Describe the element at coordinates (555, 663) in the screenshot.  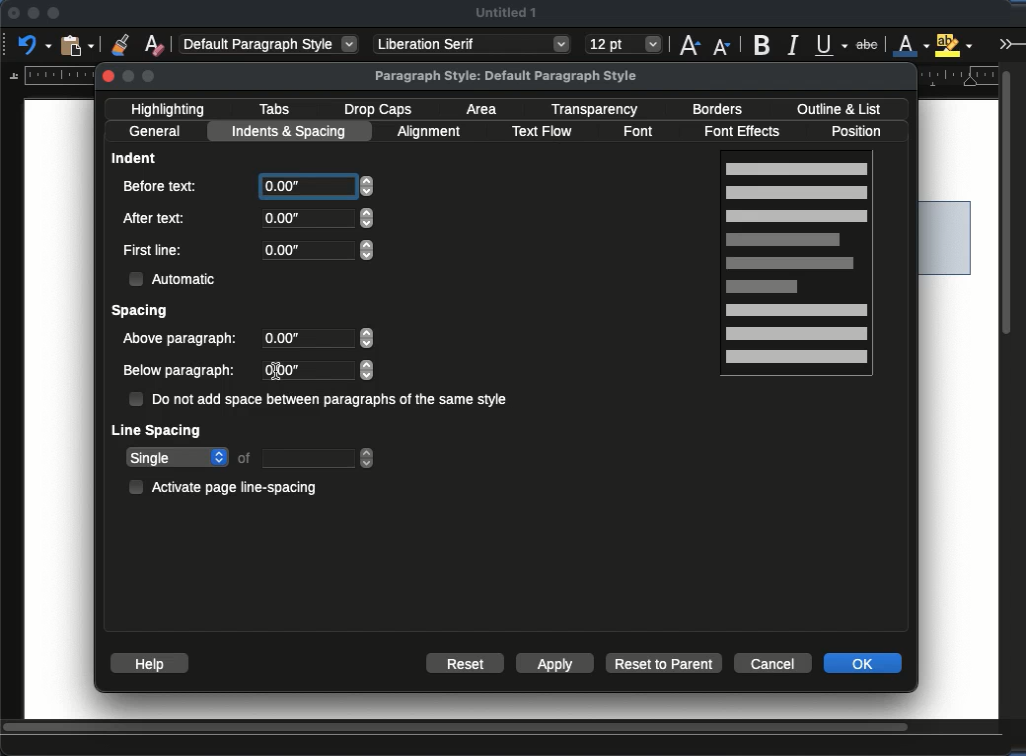
I see `apply ` at that location.